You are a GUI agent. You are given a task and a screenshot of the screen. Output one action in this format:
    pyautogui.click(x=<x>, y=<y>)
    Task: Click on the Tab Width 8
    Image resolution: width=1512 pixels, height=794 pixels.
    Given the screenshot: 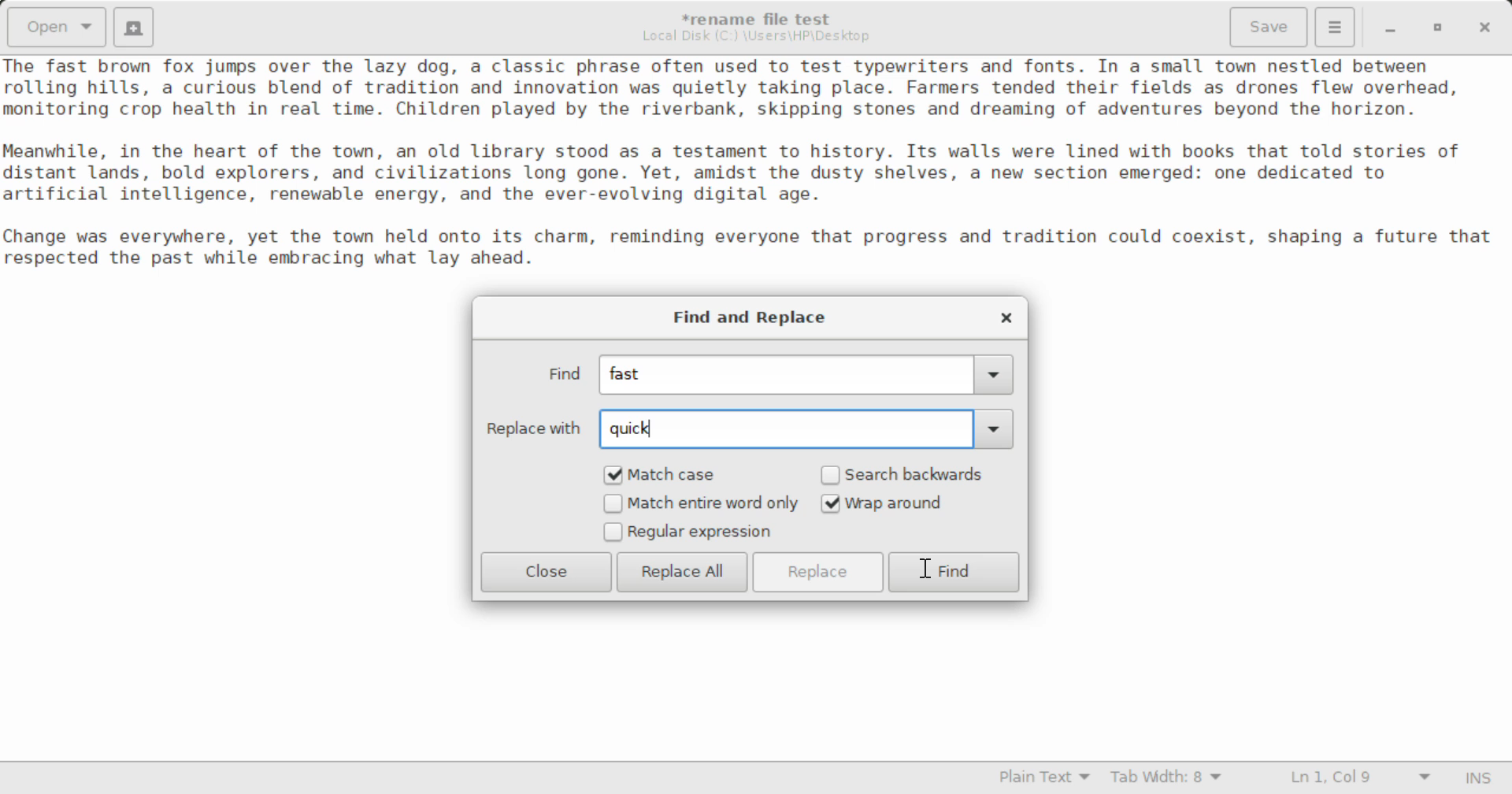 What is the action you would take?
    pyautogui.click(x=1166, y=779)
    